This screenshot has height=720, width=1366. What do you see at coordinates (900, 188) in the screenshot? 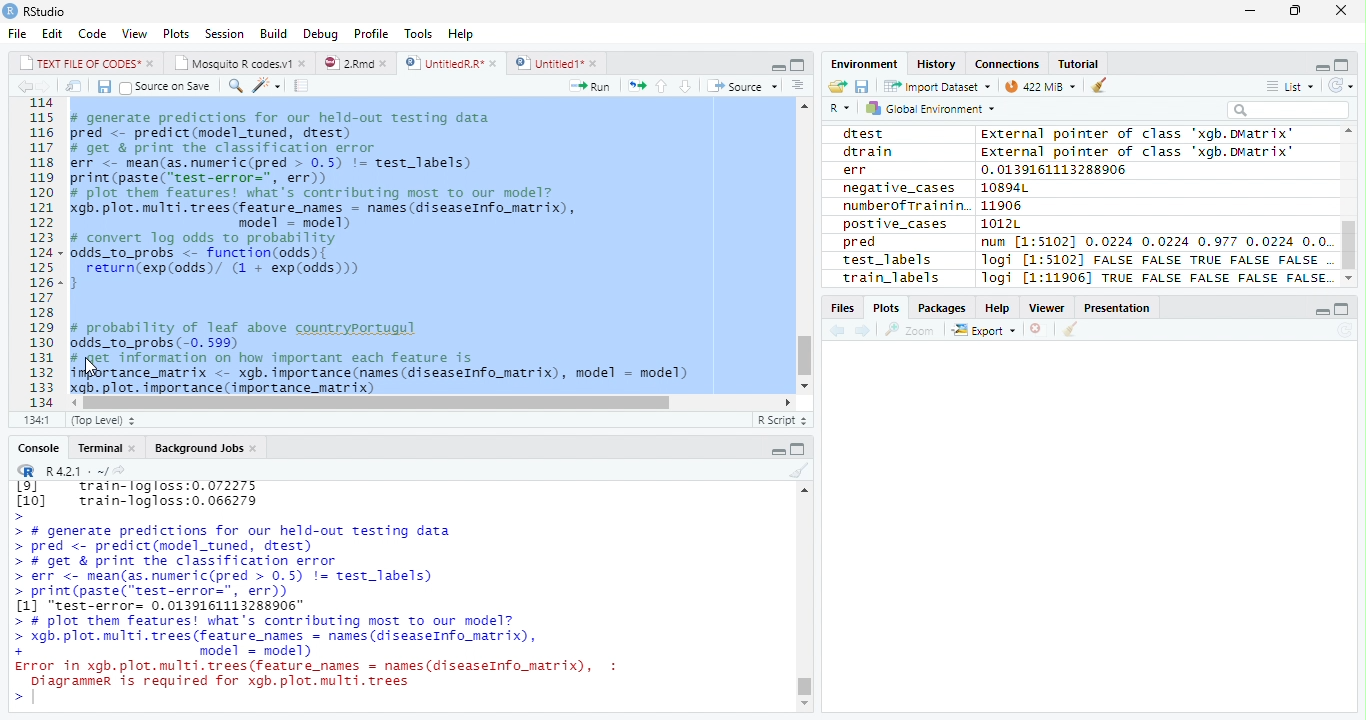
I see `negative_cases` at bounding box center [900, 188].